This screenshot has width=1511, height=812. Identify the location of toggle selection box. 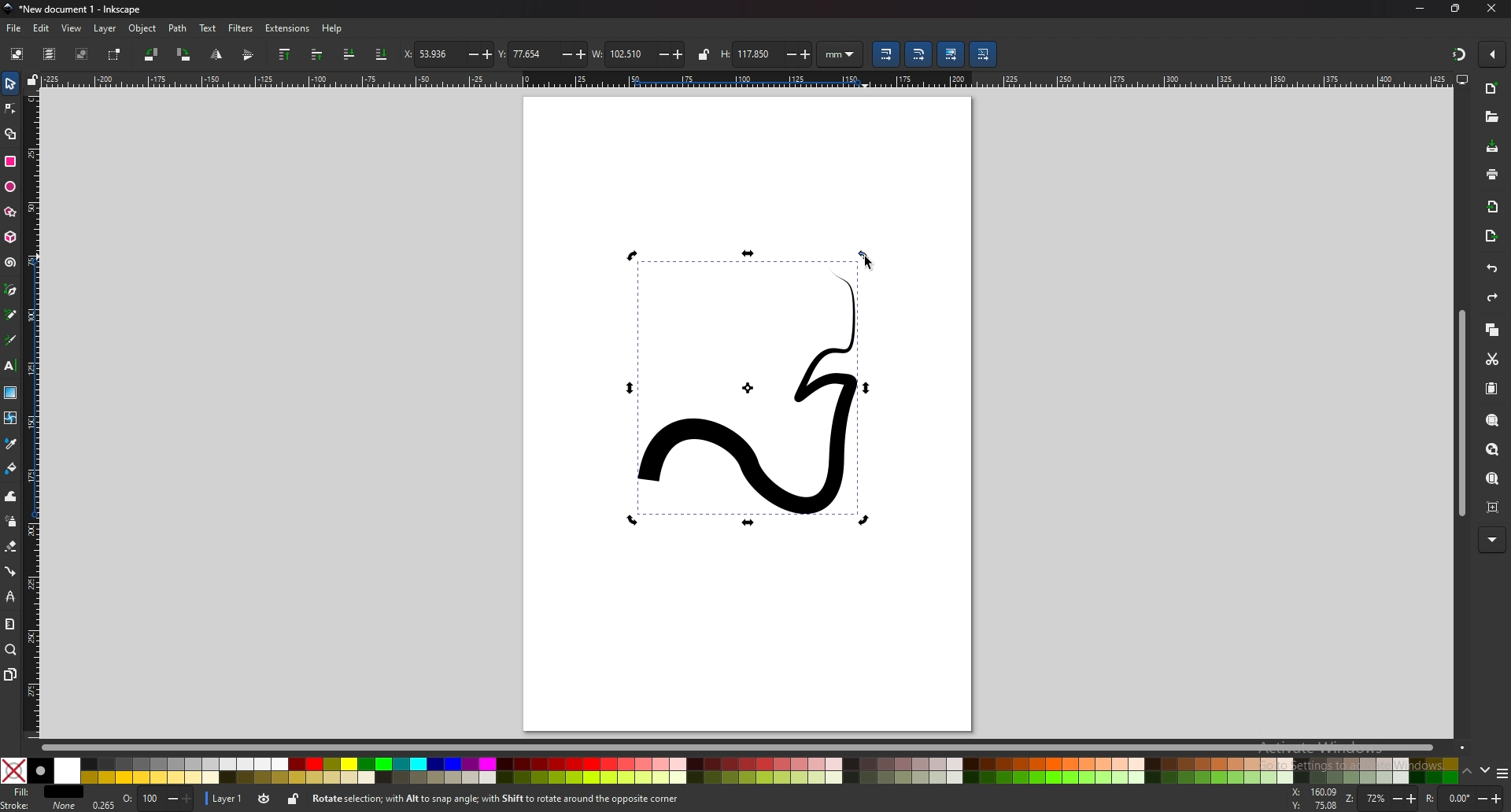
(115, 55).